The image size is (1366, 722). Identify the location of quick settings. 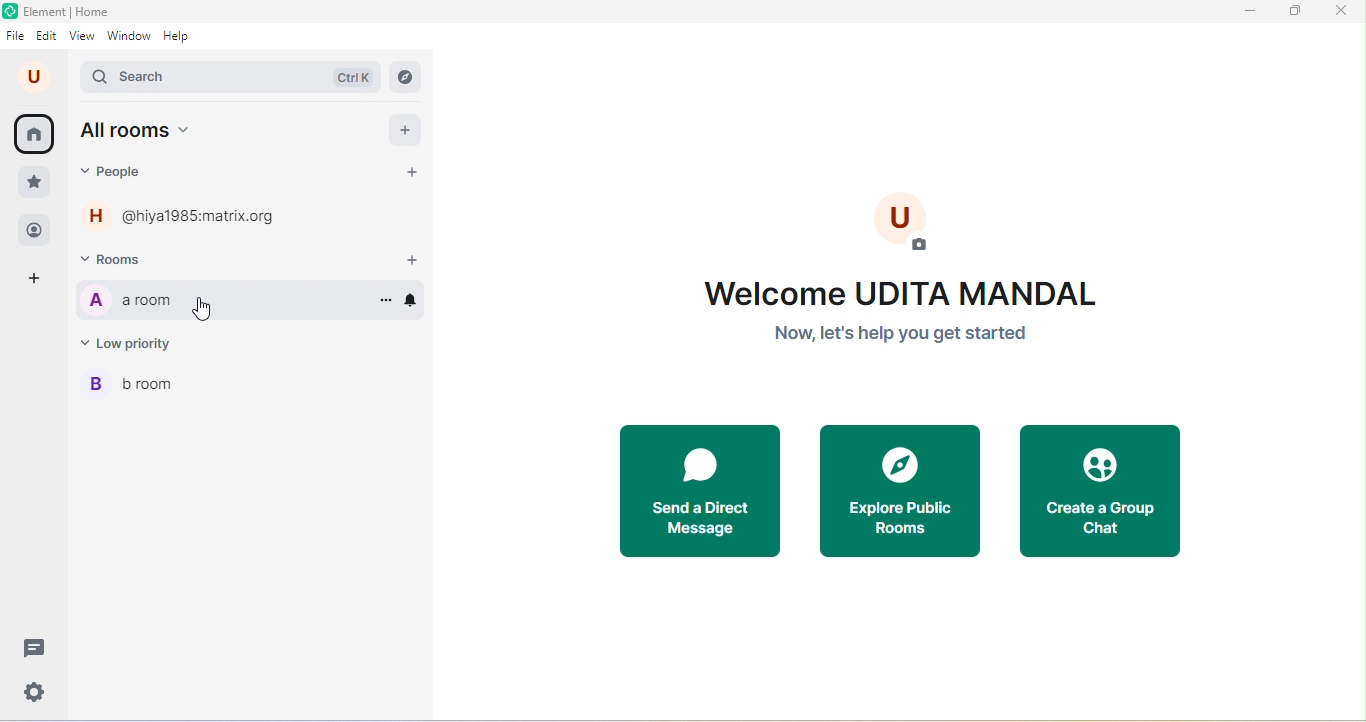
(35, 693).